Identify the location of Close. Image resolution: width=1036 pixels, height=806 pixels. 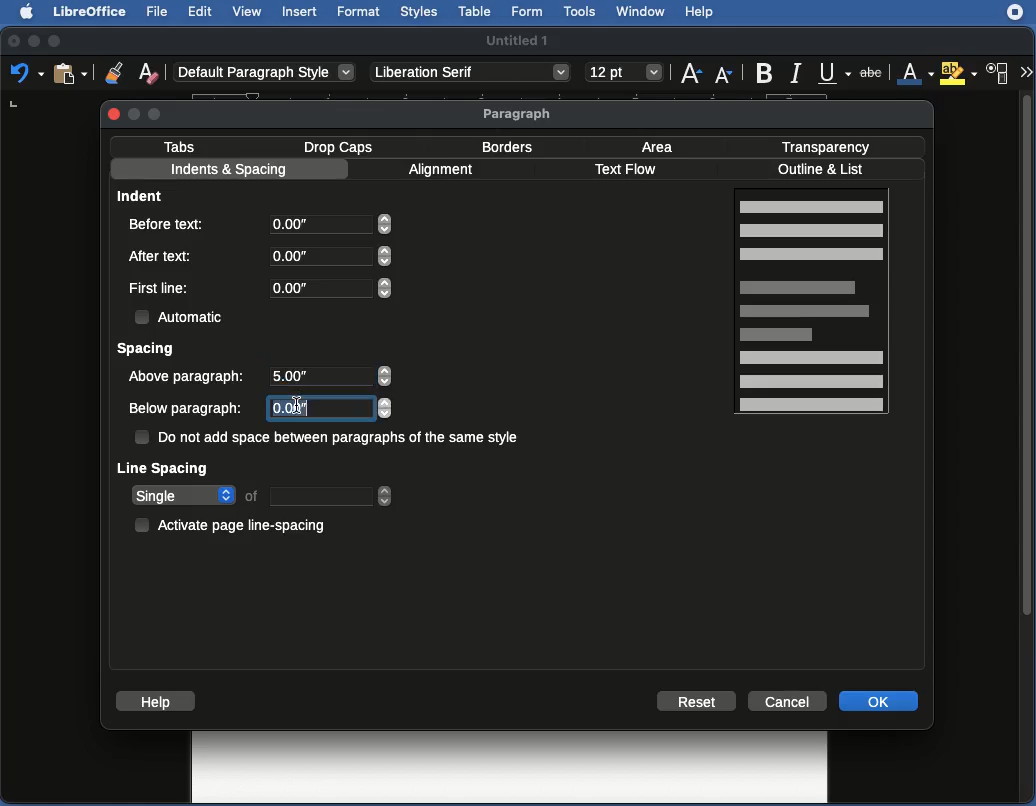
(114, 113).